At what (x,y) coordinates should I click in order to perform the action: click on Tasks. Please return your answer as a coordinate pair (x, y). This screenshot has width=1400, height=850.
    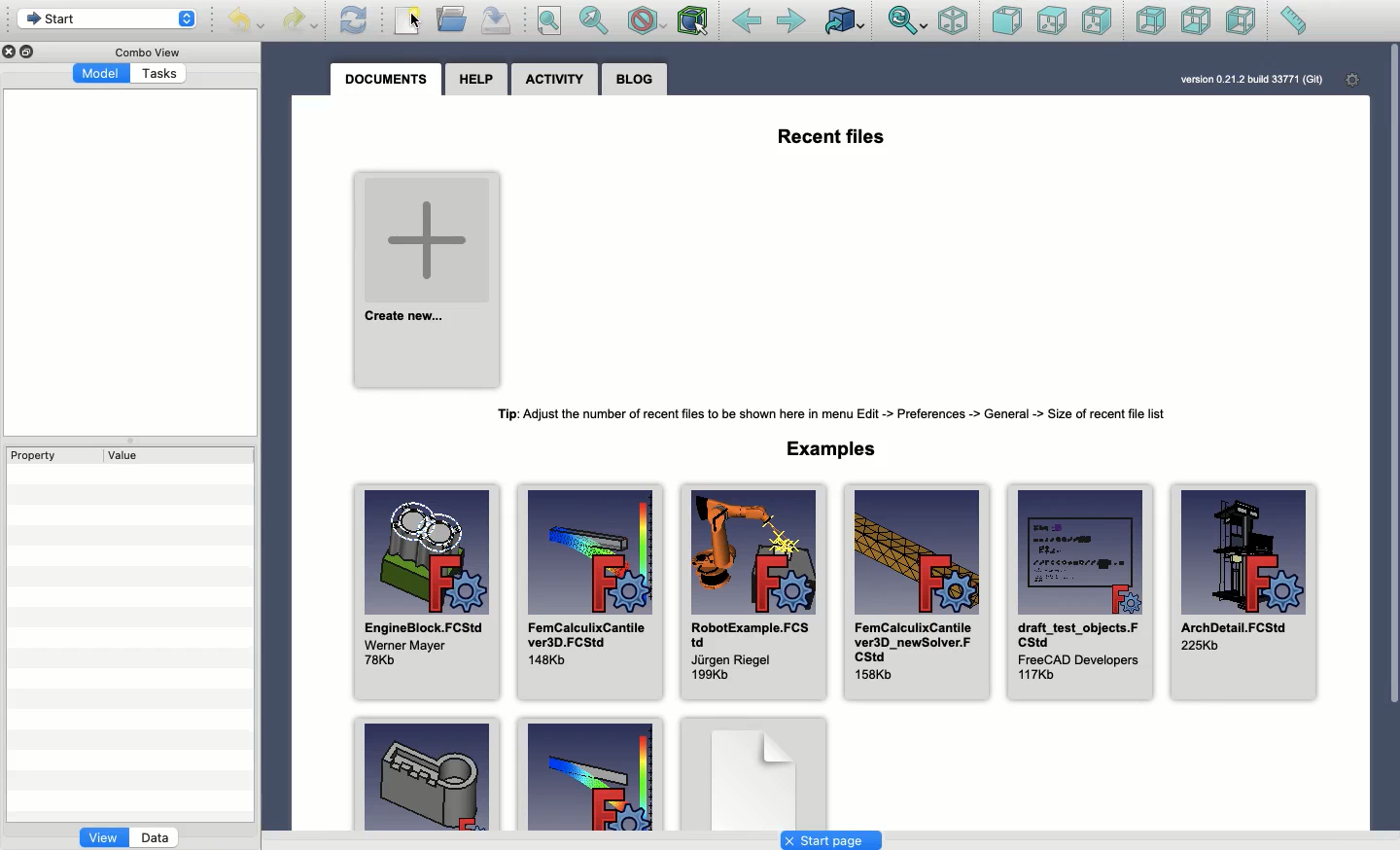
    Looking at the image, I should click on (161, 74).